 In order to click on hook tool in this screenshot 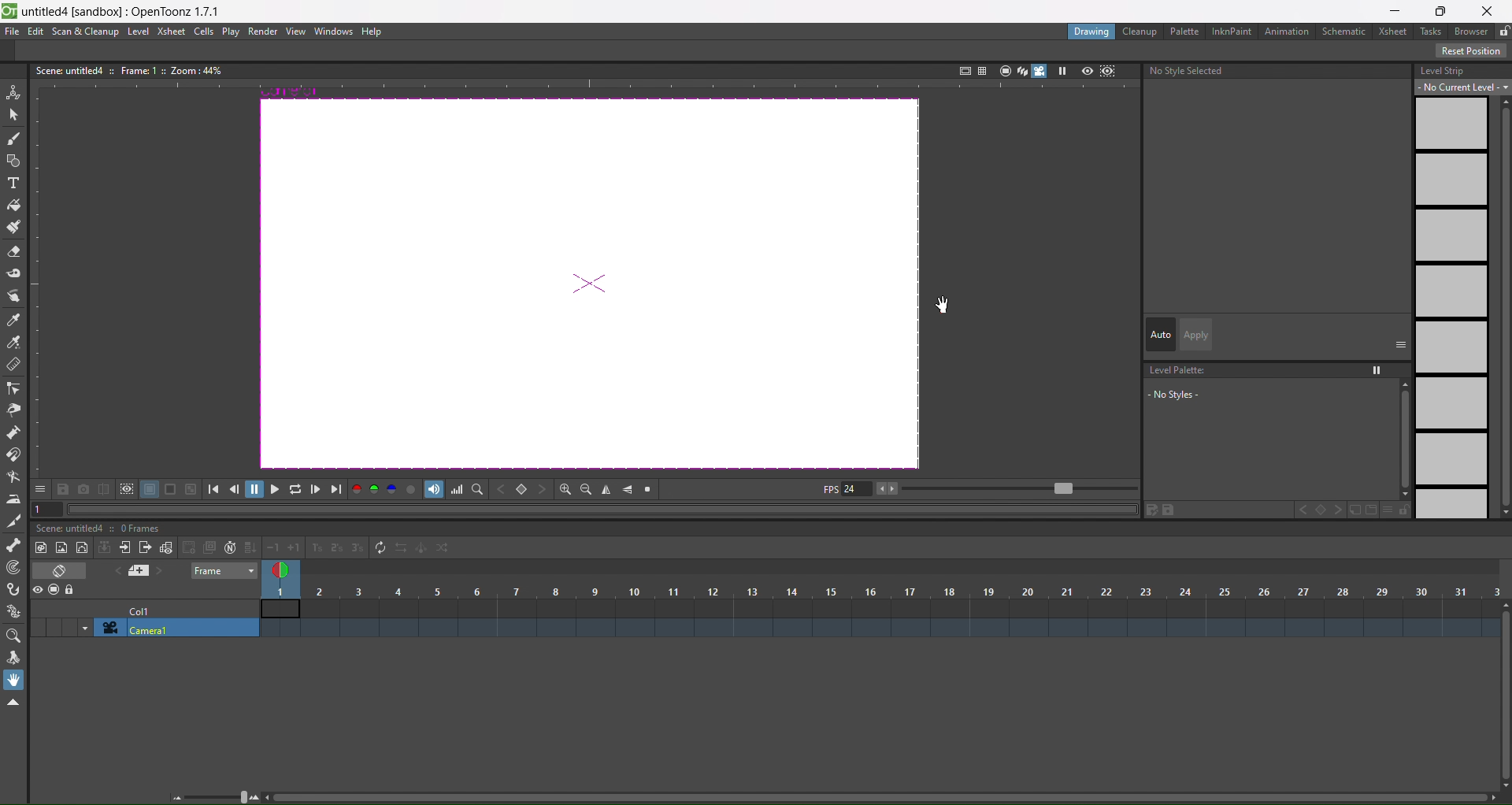, I will do `click(15, 590)`.